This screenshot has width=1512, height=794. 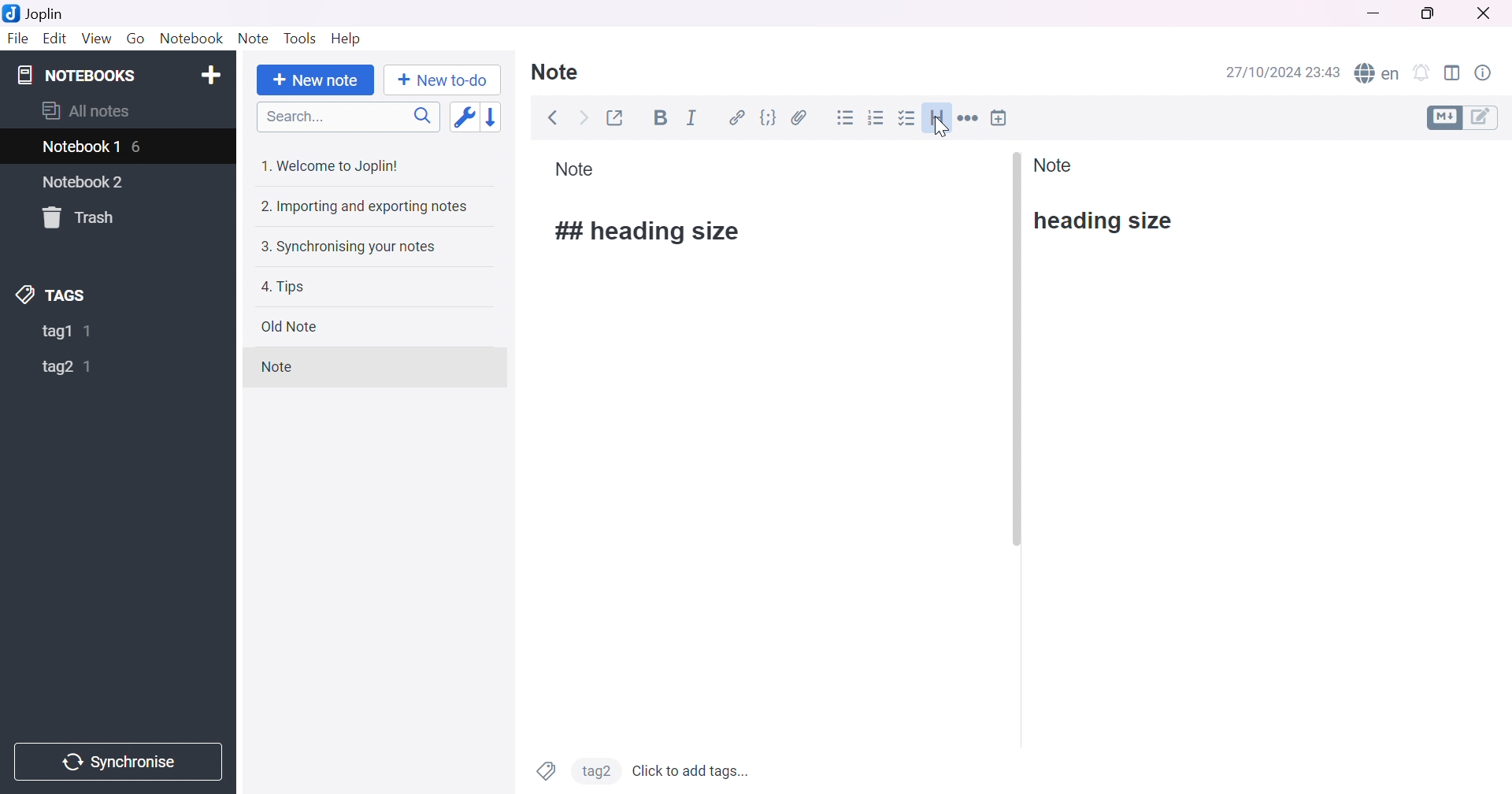 I want to click on Old Note, so click(x=291, y=326).